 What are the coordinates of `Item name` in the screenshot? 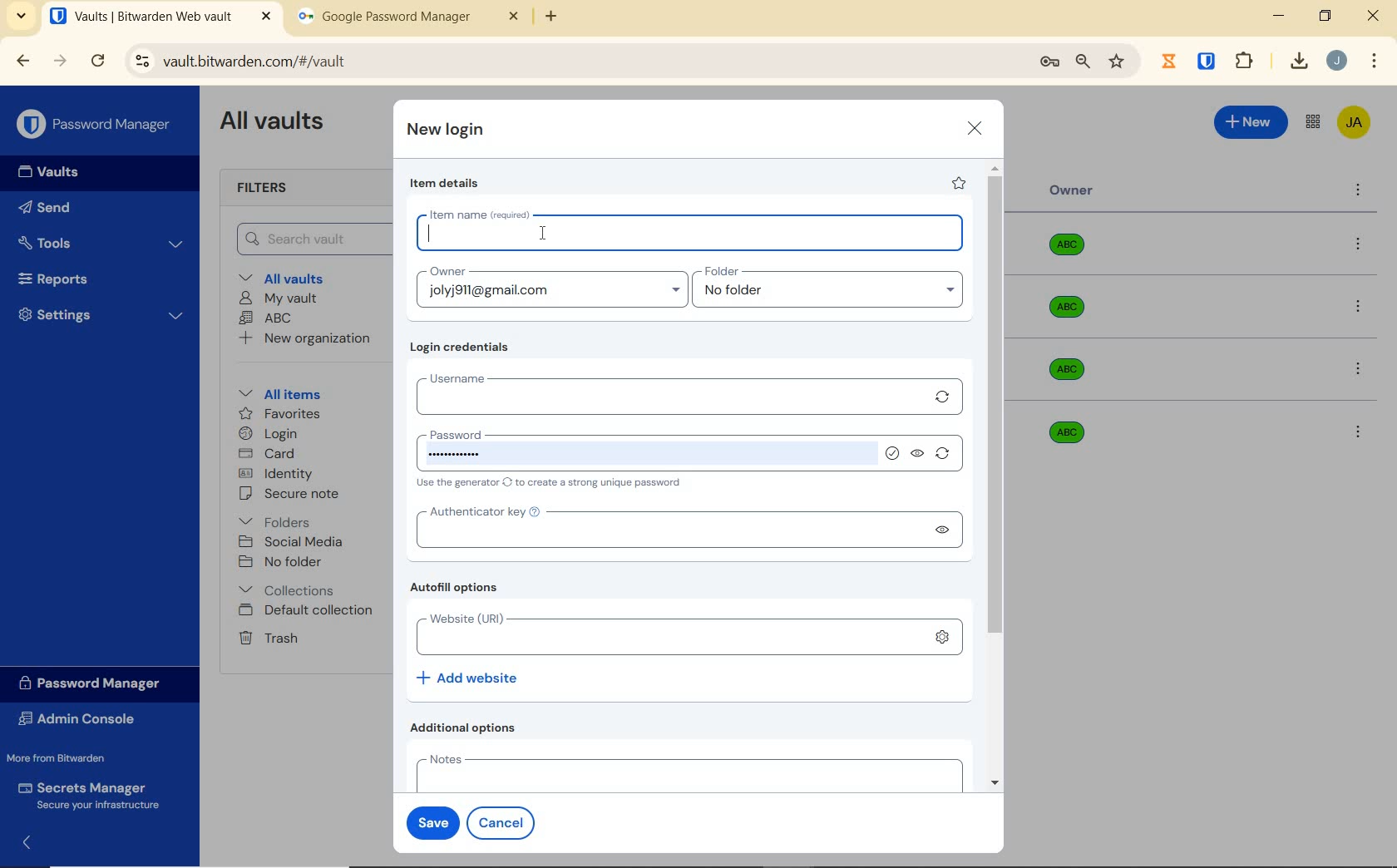 It's located at (689, 230).